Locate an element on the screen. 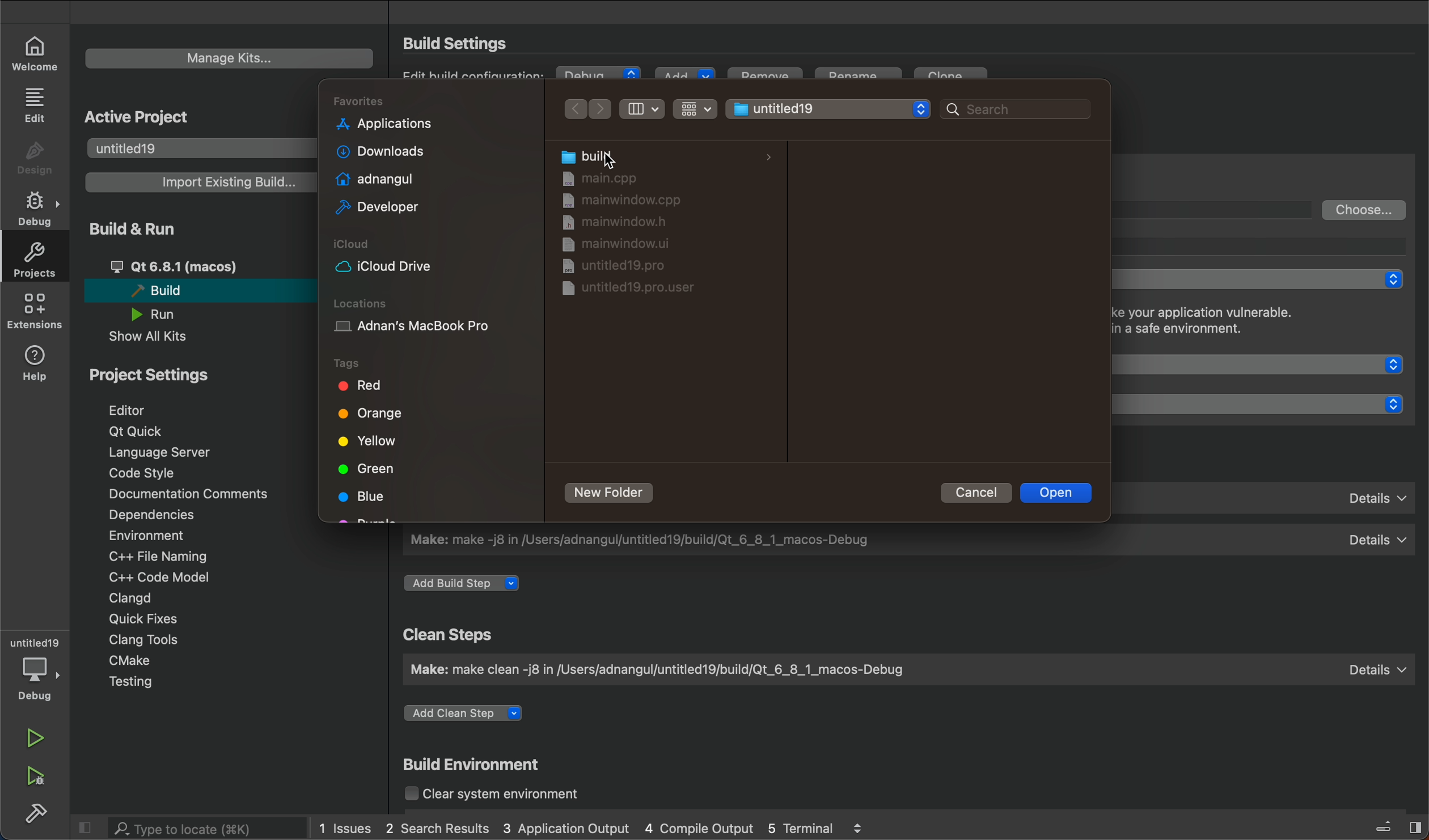  Dependencies  is located at coordinates (164, 516).